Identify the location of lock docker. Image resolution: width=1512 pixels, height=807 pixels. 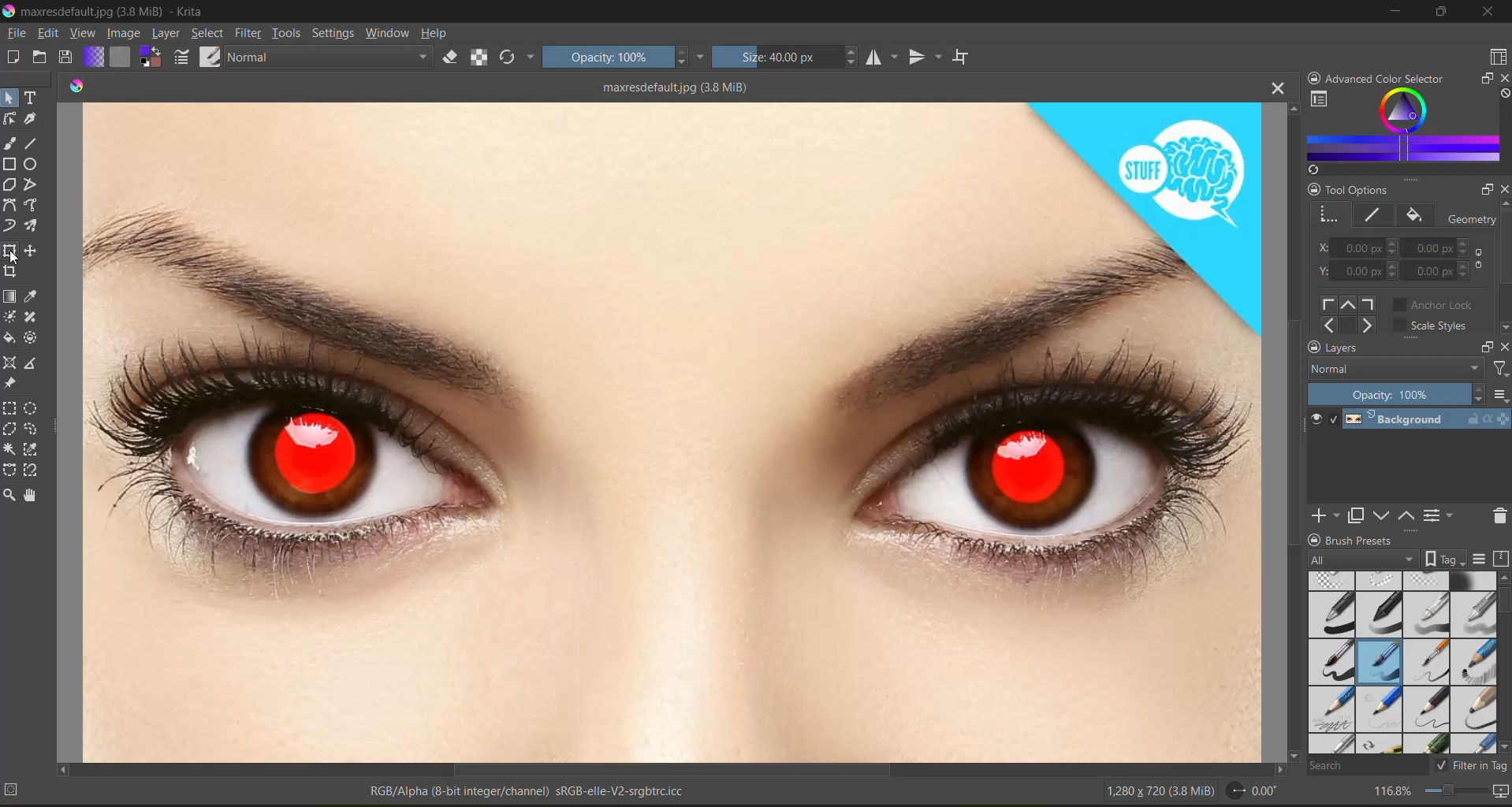
(1315, 347).